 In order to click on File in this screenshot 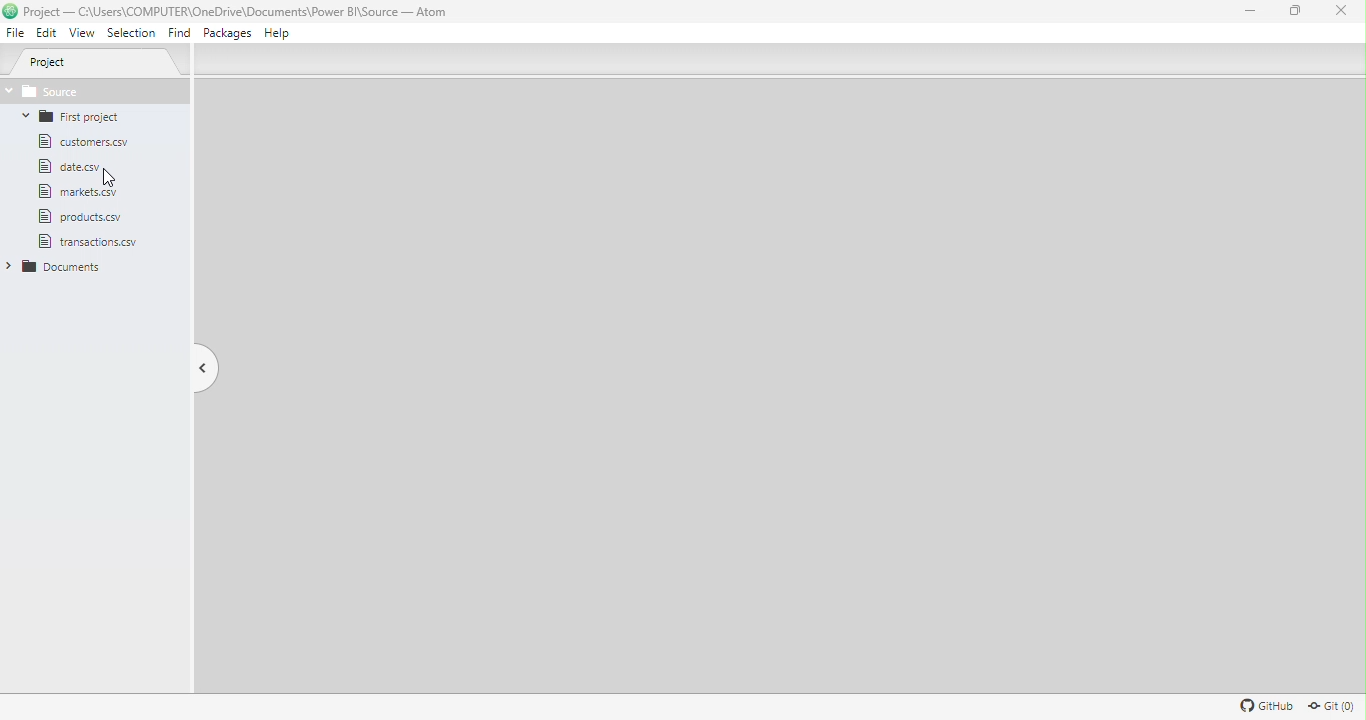, I will do `click(82, 141)`.